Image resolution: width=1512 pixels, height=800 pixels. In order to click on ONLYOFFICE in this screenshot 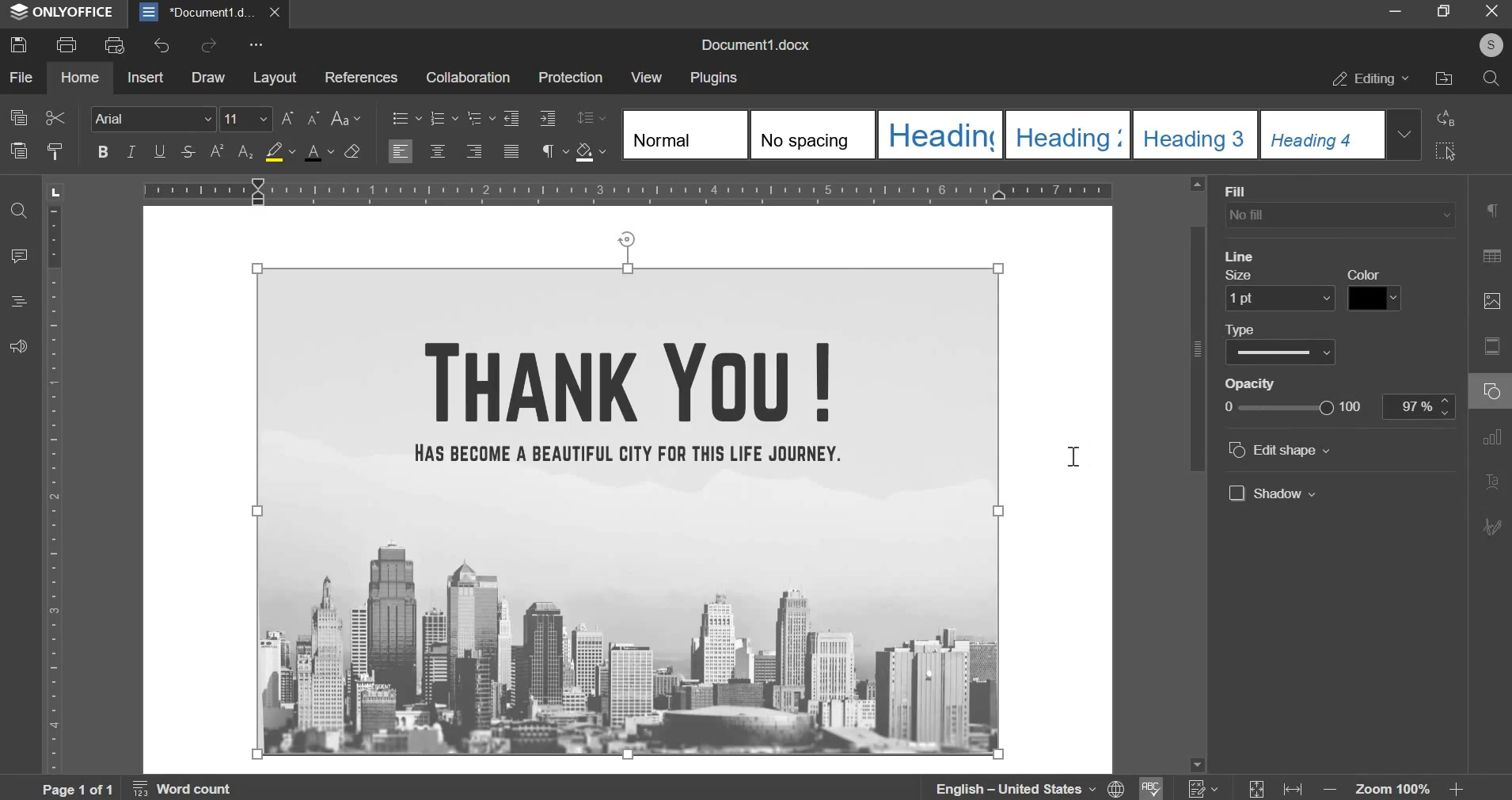, I will do `click(65, 13)`.